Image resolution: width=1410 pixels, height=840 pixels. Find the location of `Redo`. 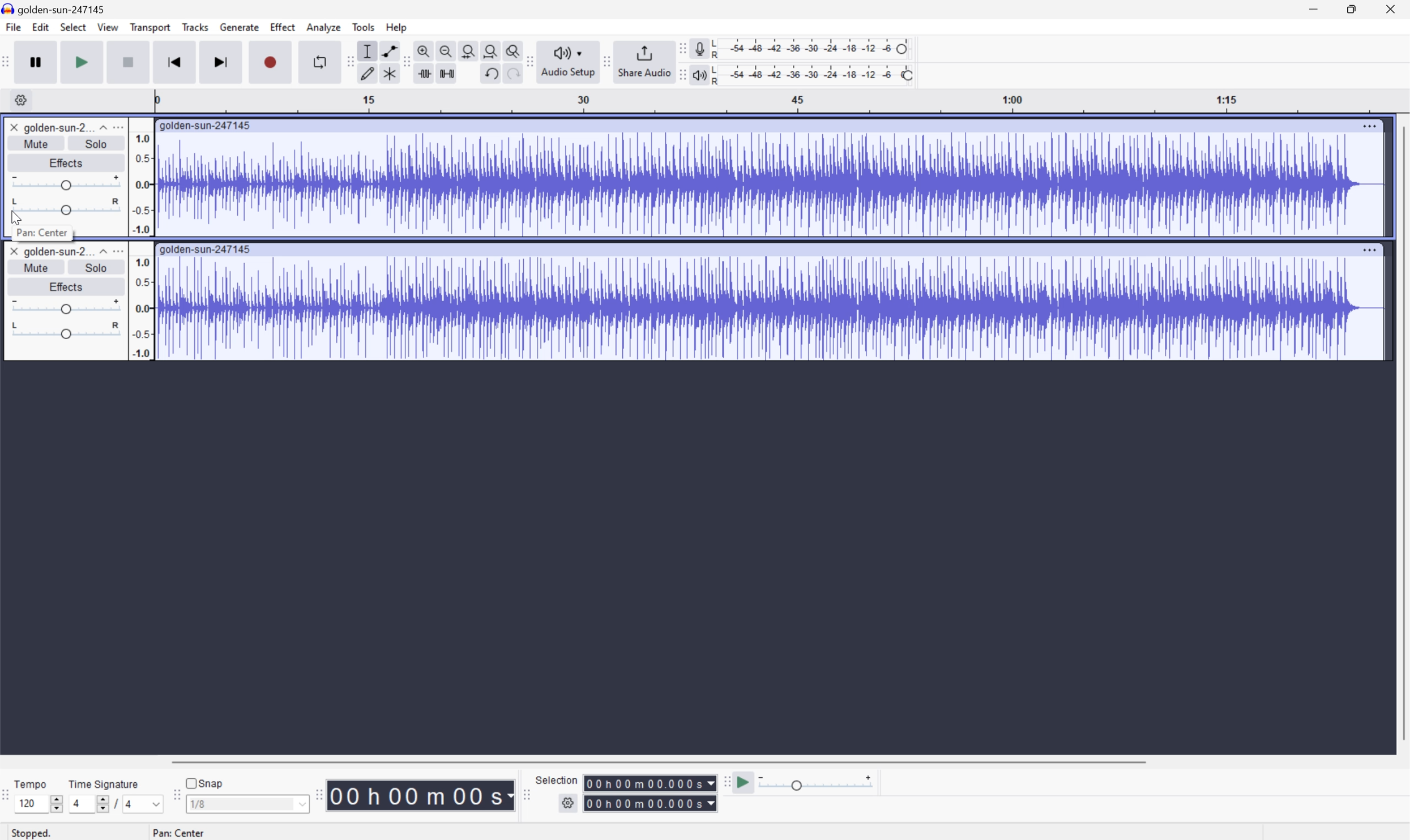

Redo is located at coordinates (514, 74).